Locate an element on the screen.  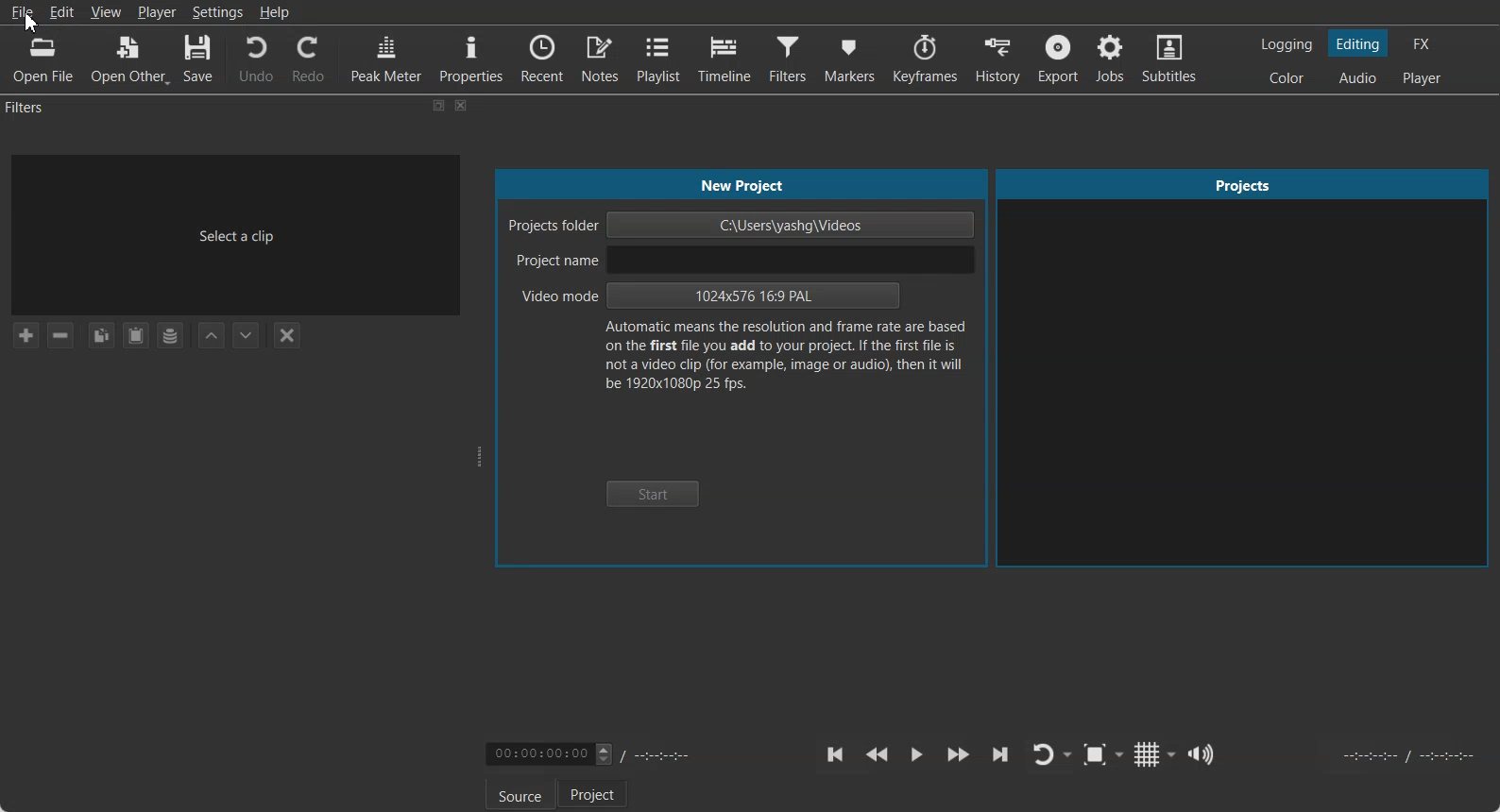
Show the volume control is located at coordinates (1203, 754).